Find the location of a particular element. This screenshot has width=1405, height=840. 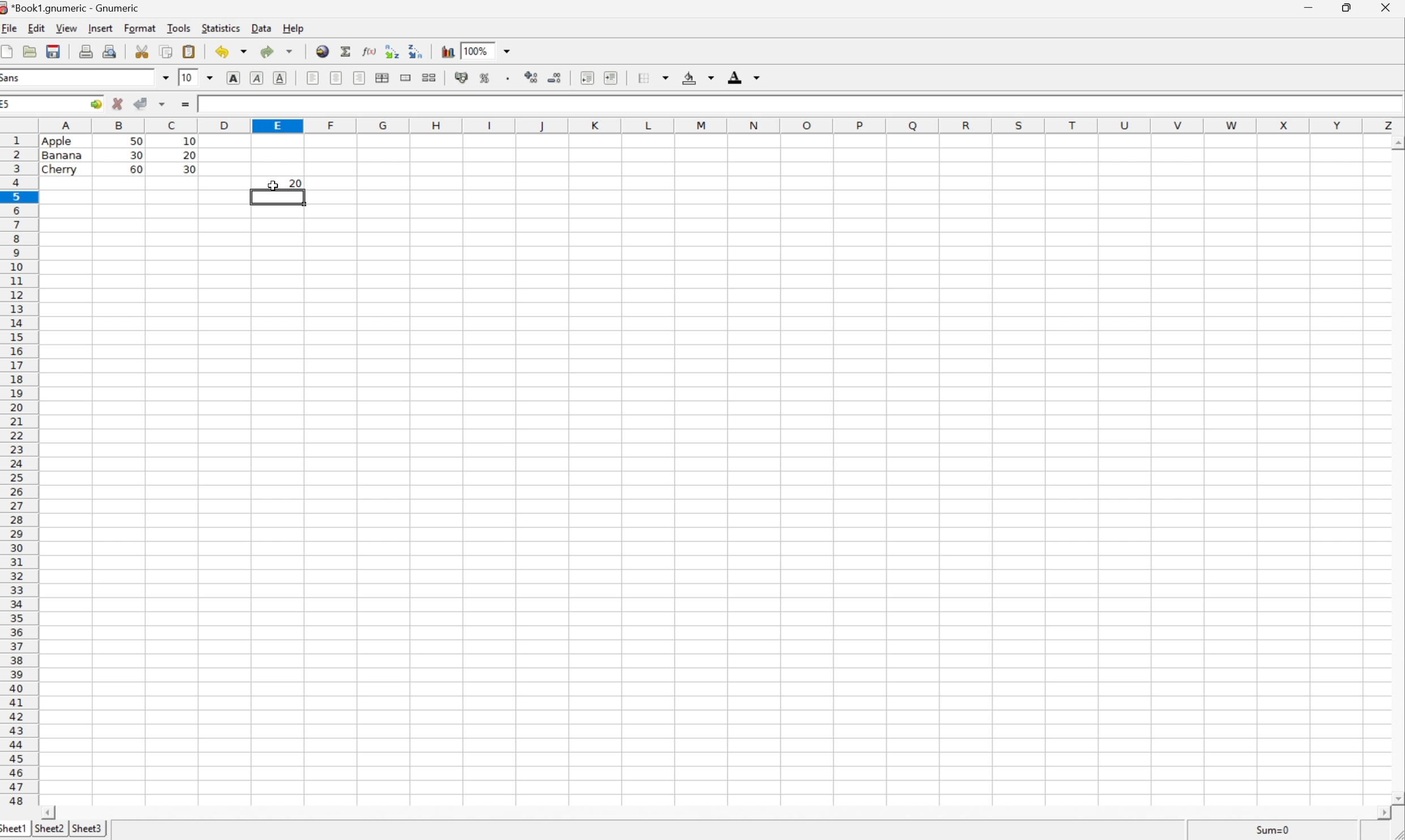

E5 is located at coordinates (9, 106).